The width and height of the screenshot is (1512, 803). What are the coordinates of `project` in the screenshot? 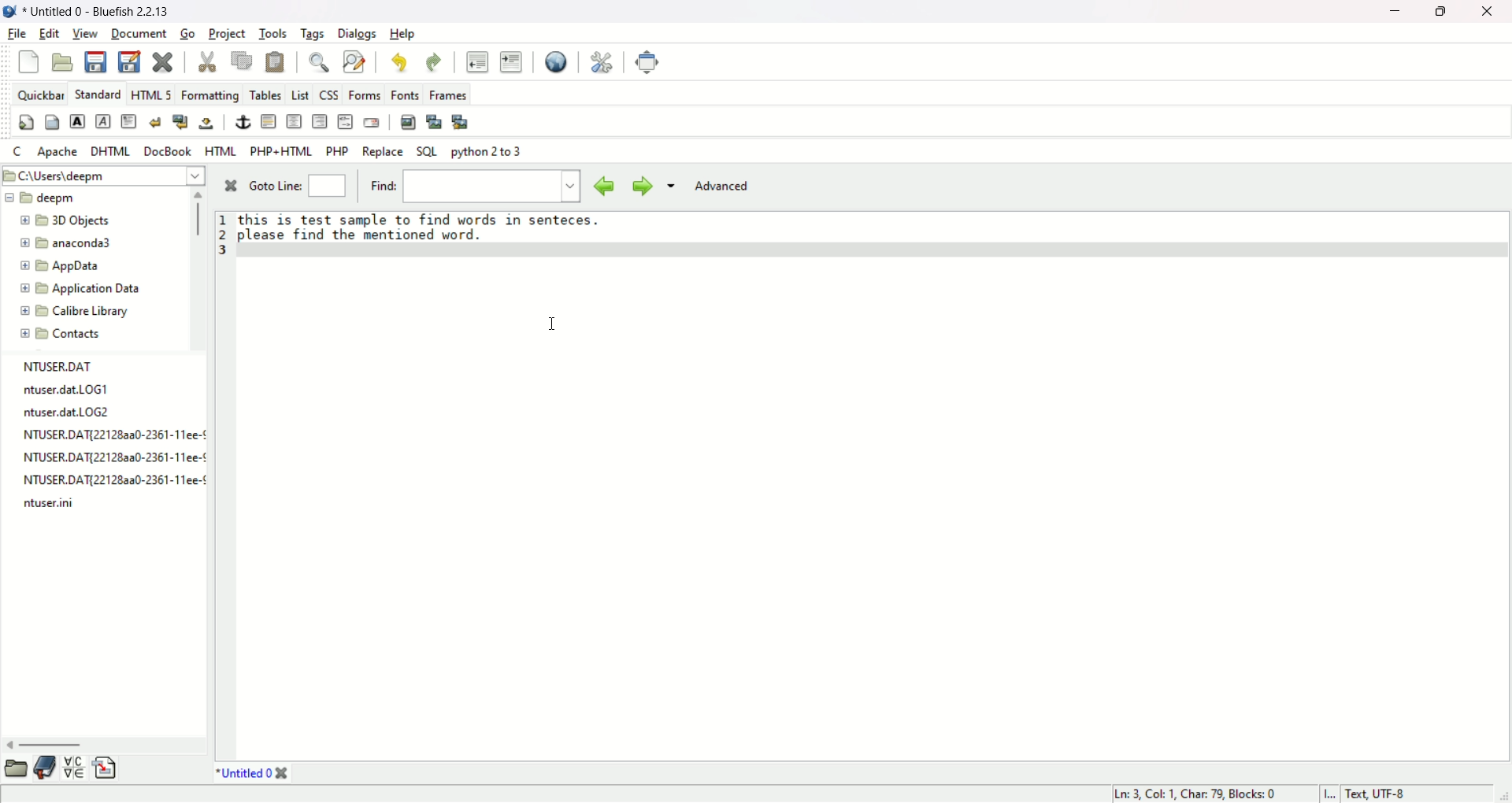 It's located at (228, 32).